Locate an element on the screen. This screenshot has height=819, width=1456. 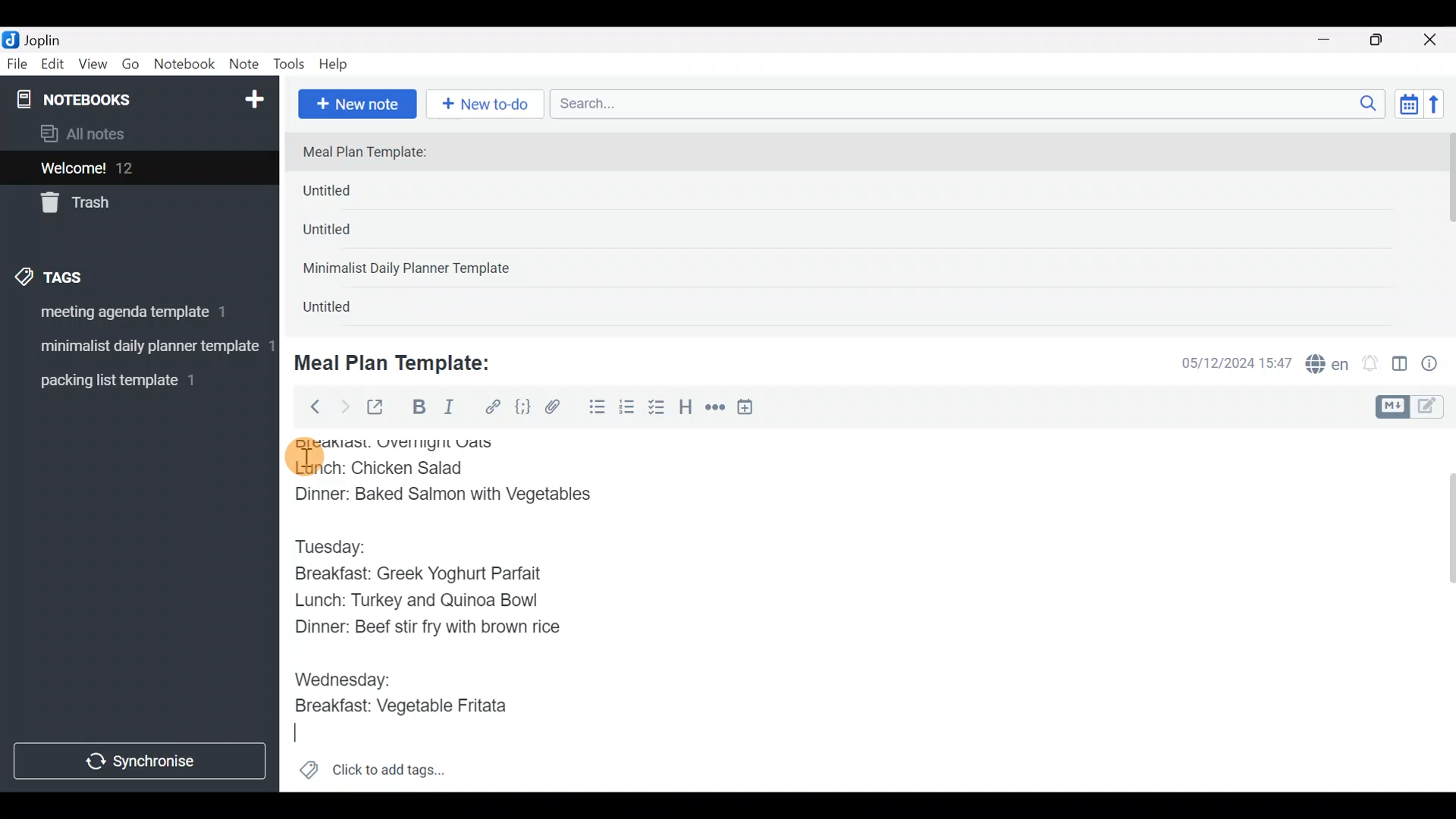
Dinner: Baked Salmon with Vegetables is located at coordinates (449, 492).